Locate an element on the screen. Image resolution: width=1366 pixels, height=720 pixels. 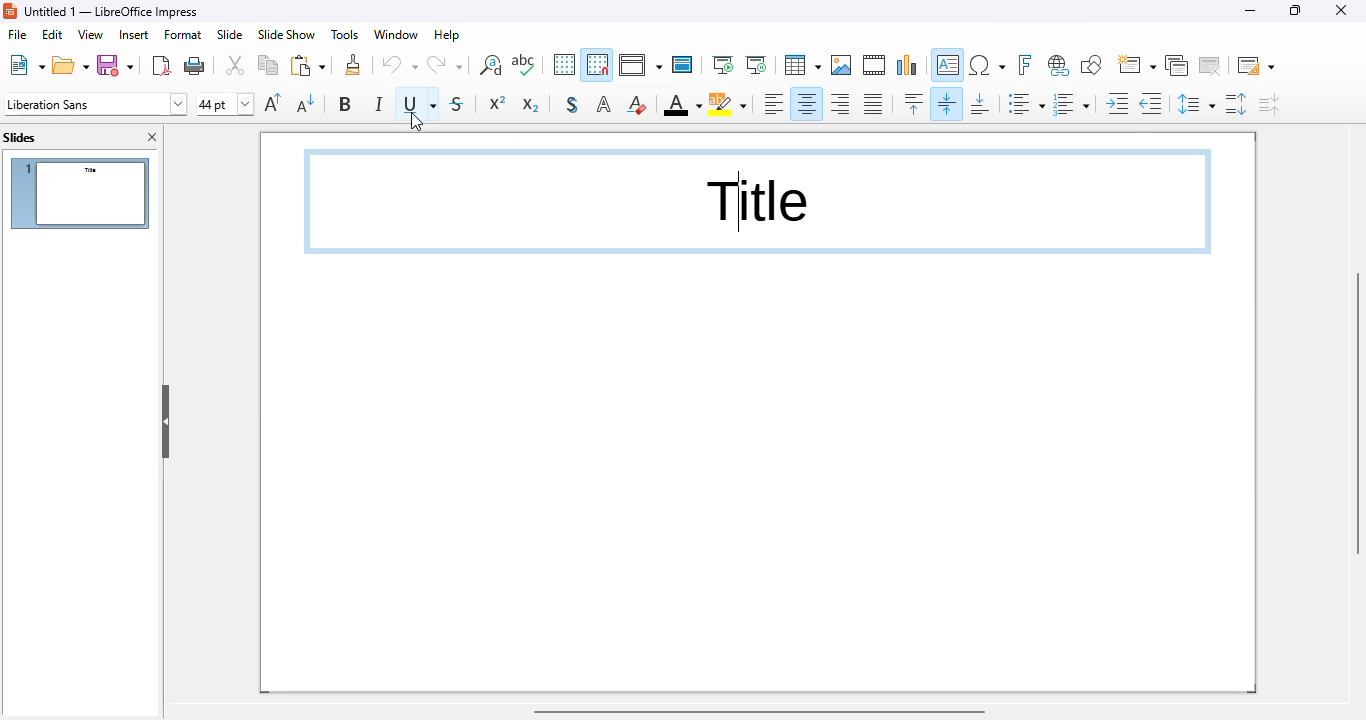
minimize is located at coordinates (1250, 11).